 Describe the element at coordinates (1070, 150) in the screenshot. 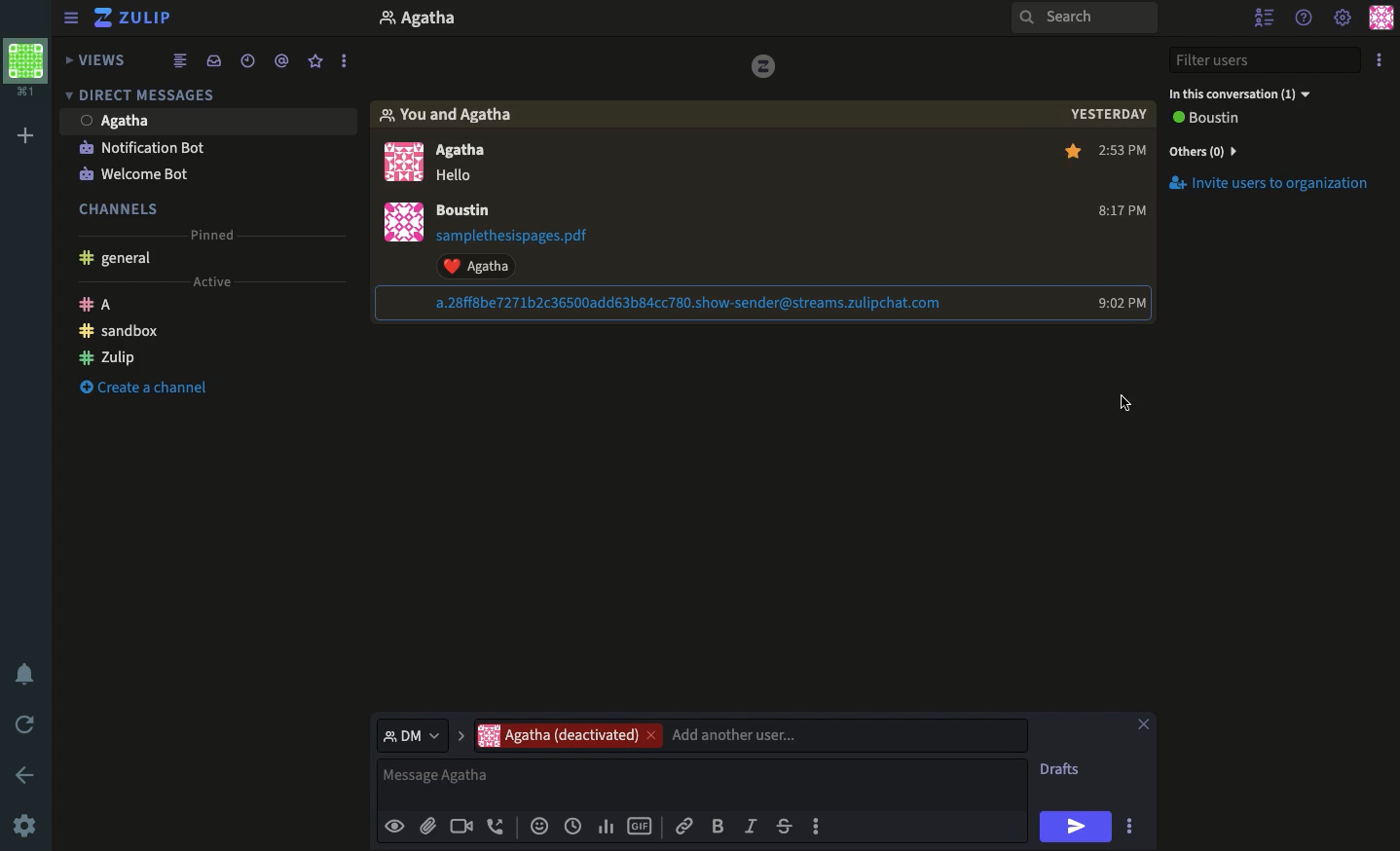

I see `Favorite` at that location.